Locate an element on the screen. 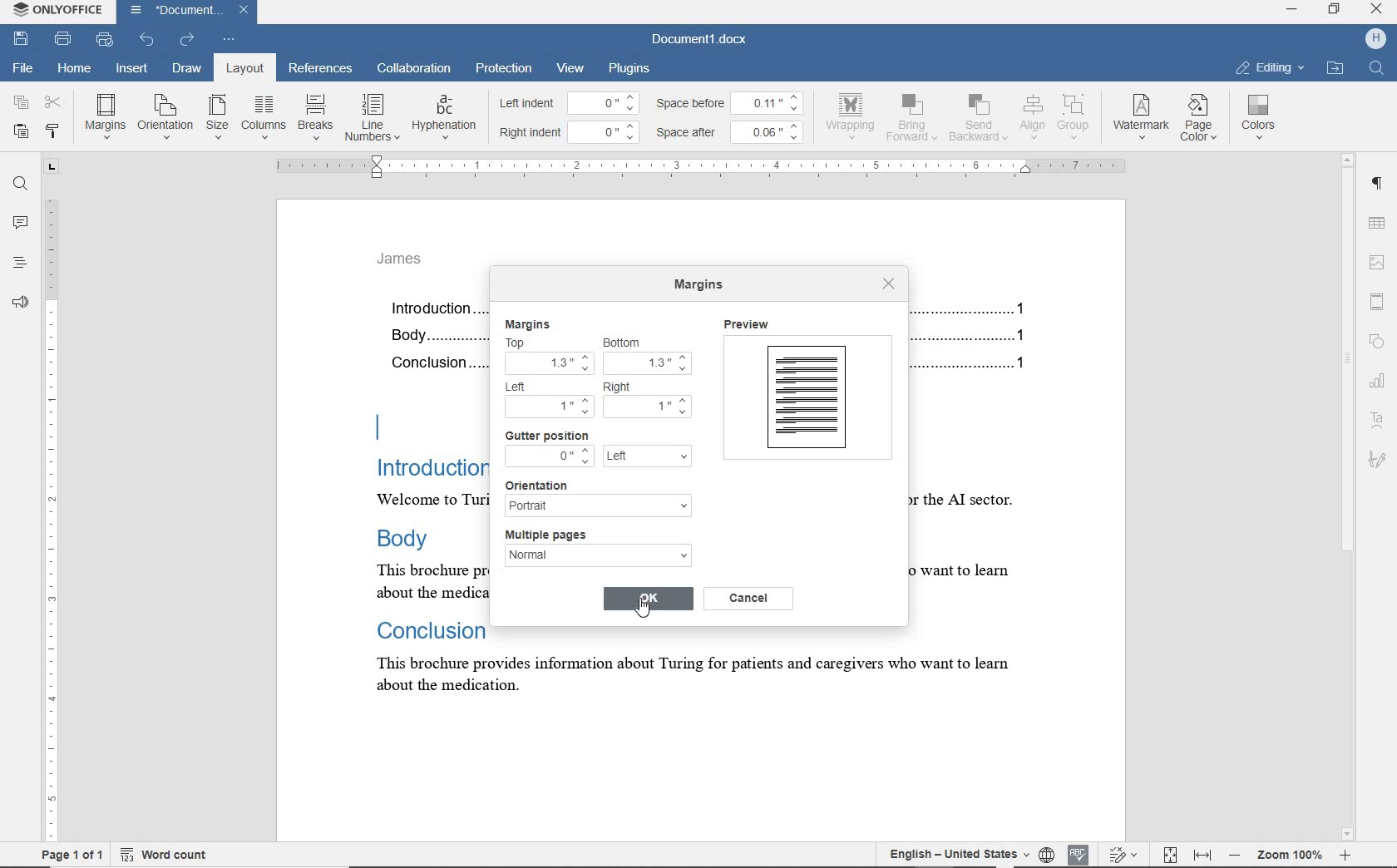 The width and height of the screenshot is (1397, 868). Left is located at coordinates (524, 387).